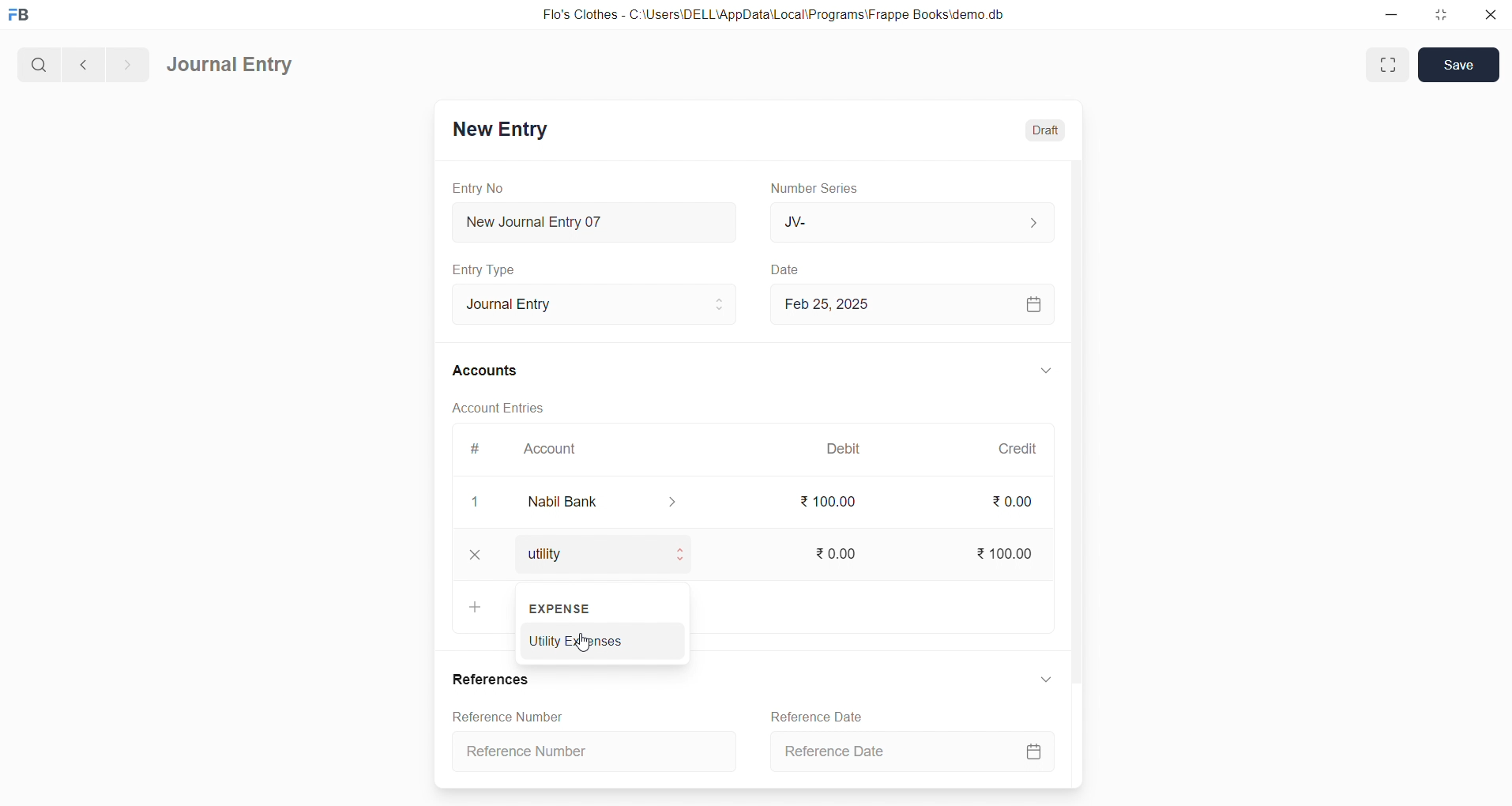 This screenshot has width=1512, height=806. Describe the element at coordinates (819, 189) in the screenshot. I see `Number Series` at that location.